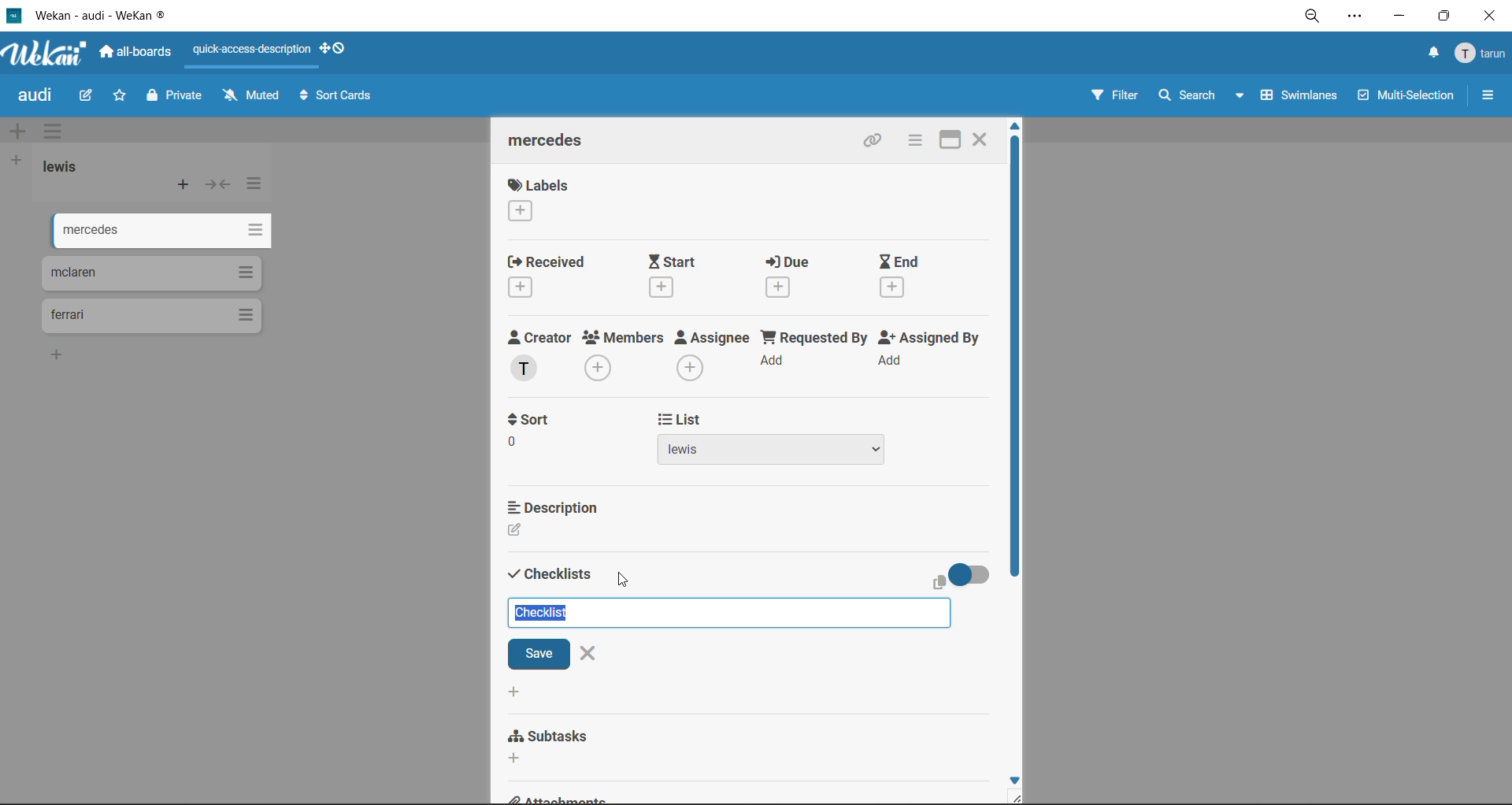 Image resolution: width=1512 pixels, height=805 pixels. What do you see at coordinates (184, 188) in the screenshot?
I see `add card` at bounding box center [184, 188].